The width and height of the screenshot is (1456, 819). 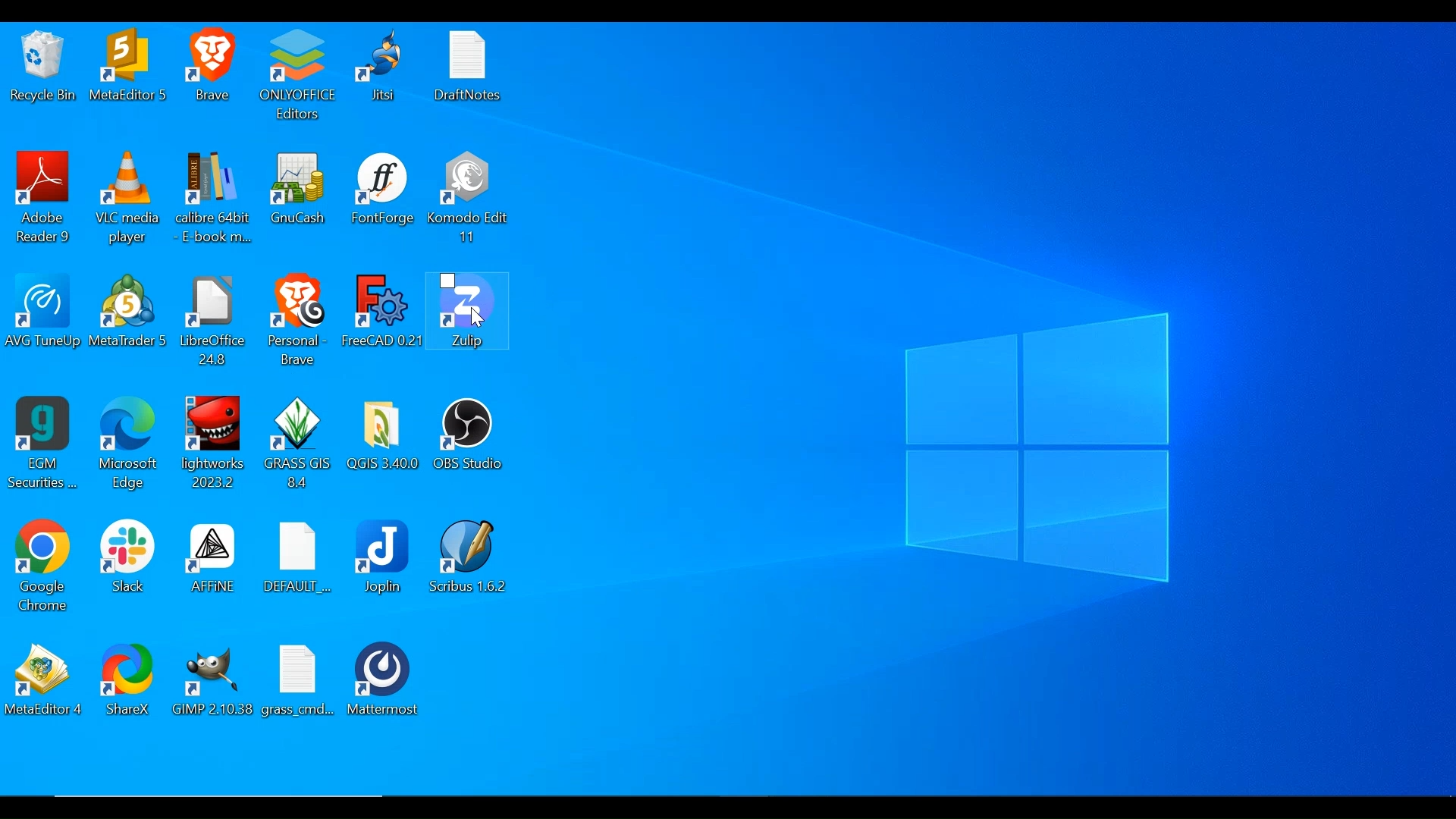 What do you see at coordinates (386, 557) in the screenshot?
I see `Joplin Desktop Icon` at bounding box center [386, 557].